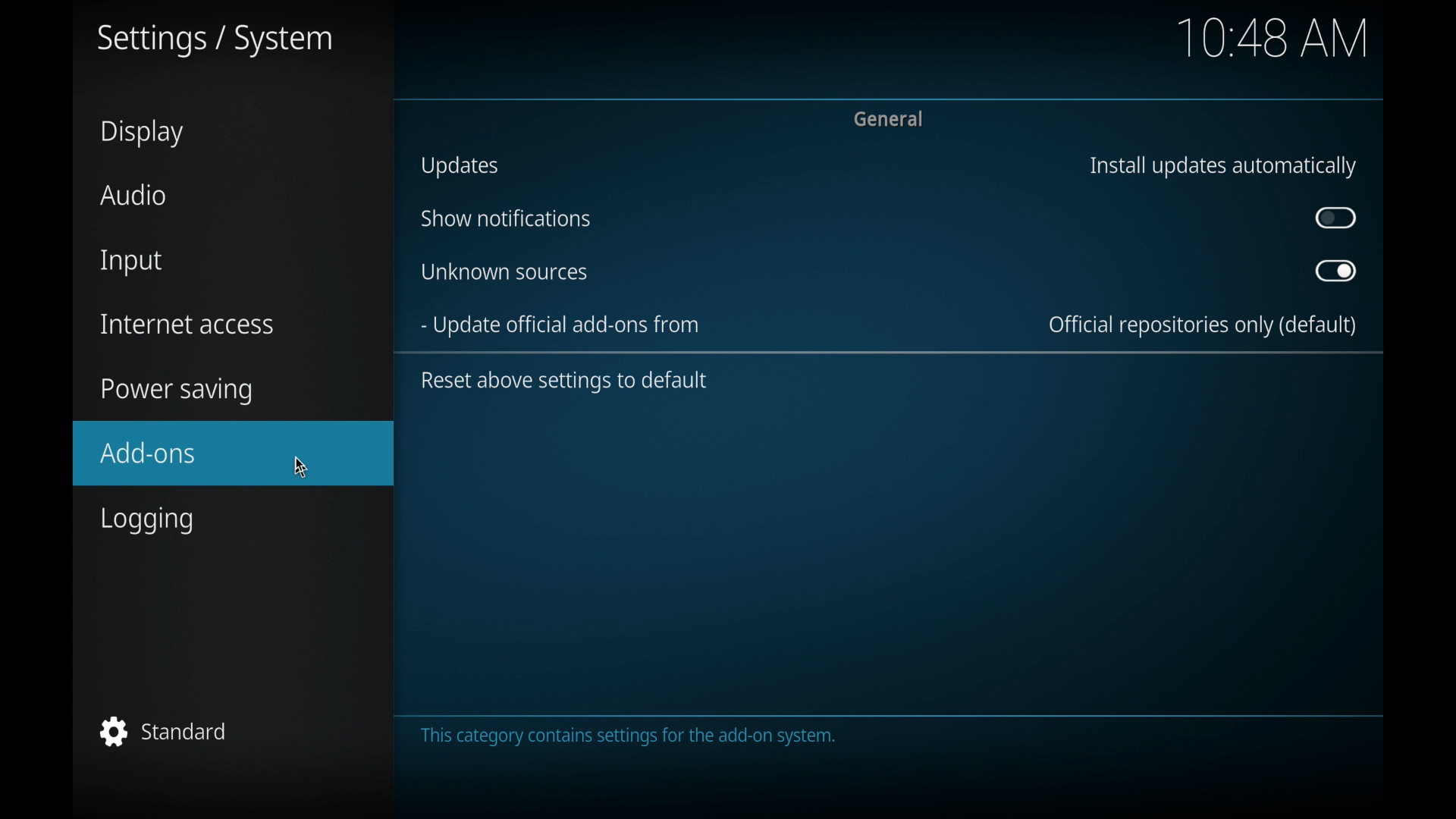 This screenshot has height=819, width=1456. What do you see at coordinates (188, 325) in the screenshot?
I see `internet access` at bounding box center [188, 325].